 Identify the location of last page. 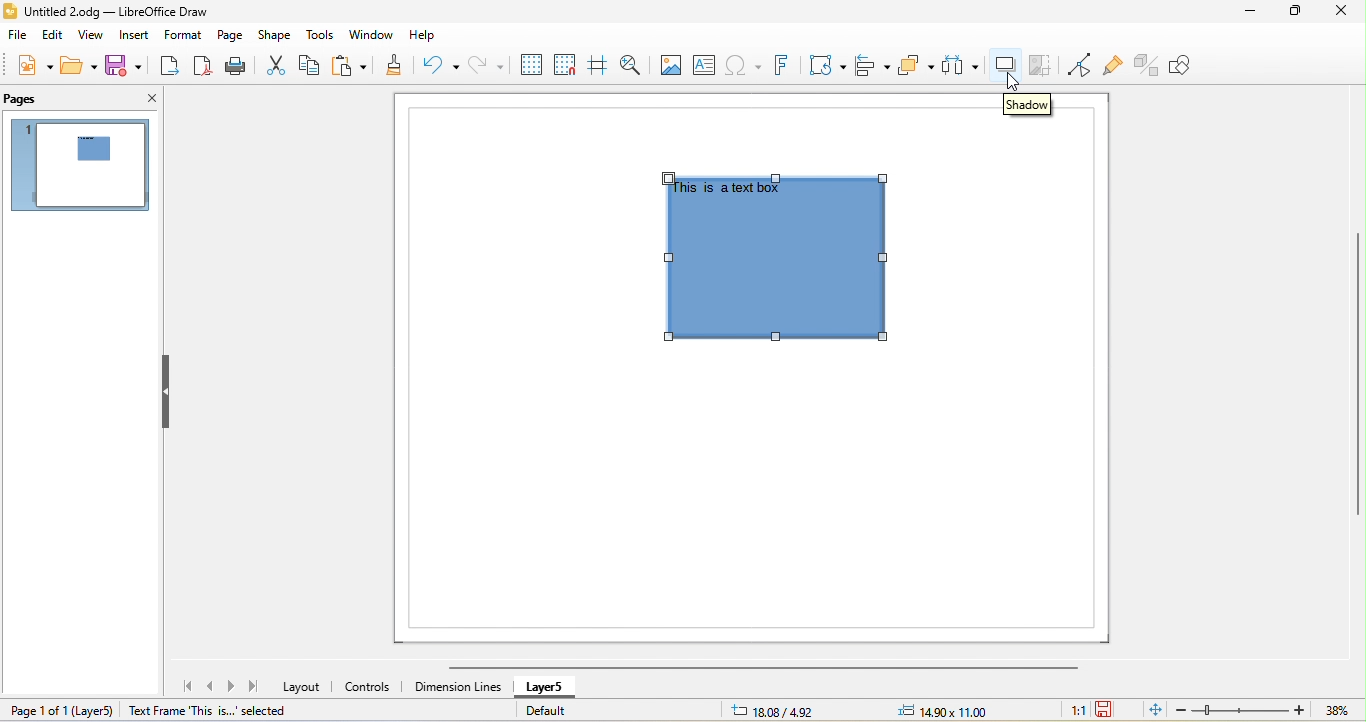
(257, 689).